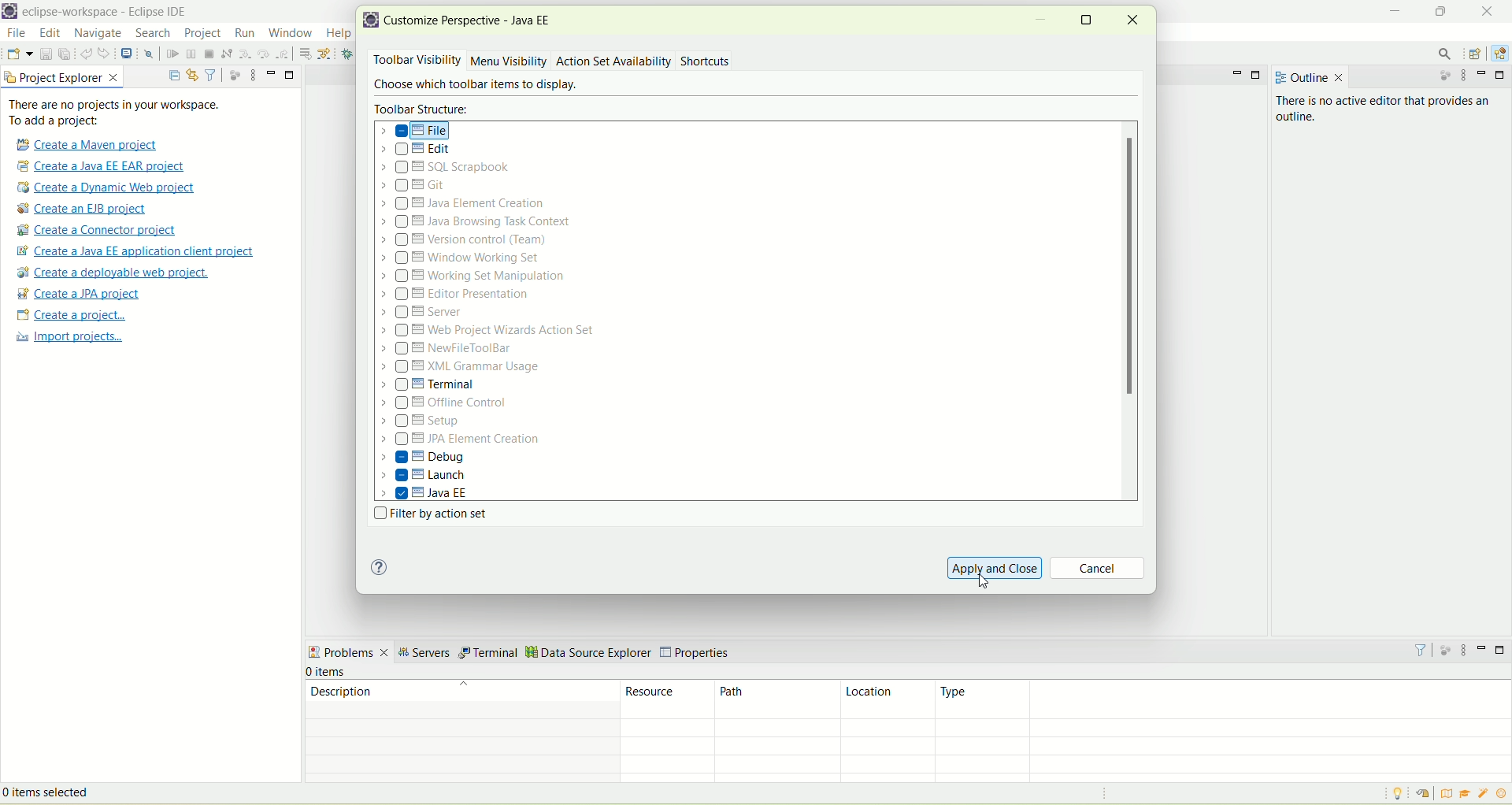 The image size is (1512, 805). What do you see at coordinates (490, 331) in the screenshot?
I see `web project` at bounding box center [490, 331].